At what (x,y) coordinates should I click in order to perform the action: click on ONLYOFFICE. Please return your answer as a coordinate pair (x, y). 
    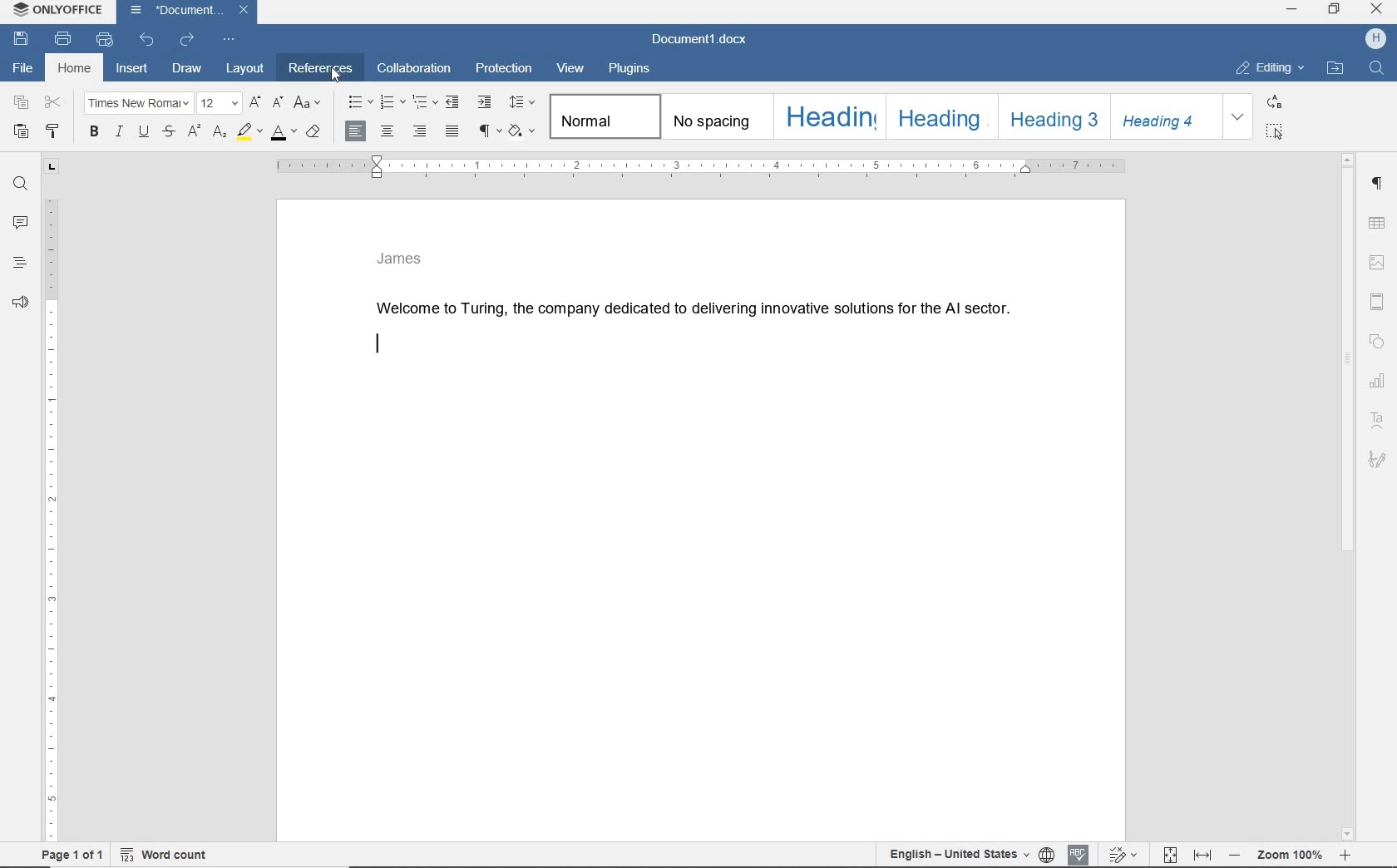
    Looking at the image, I should click on (56, 10).